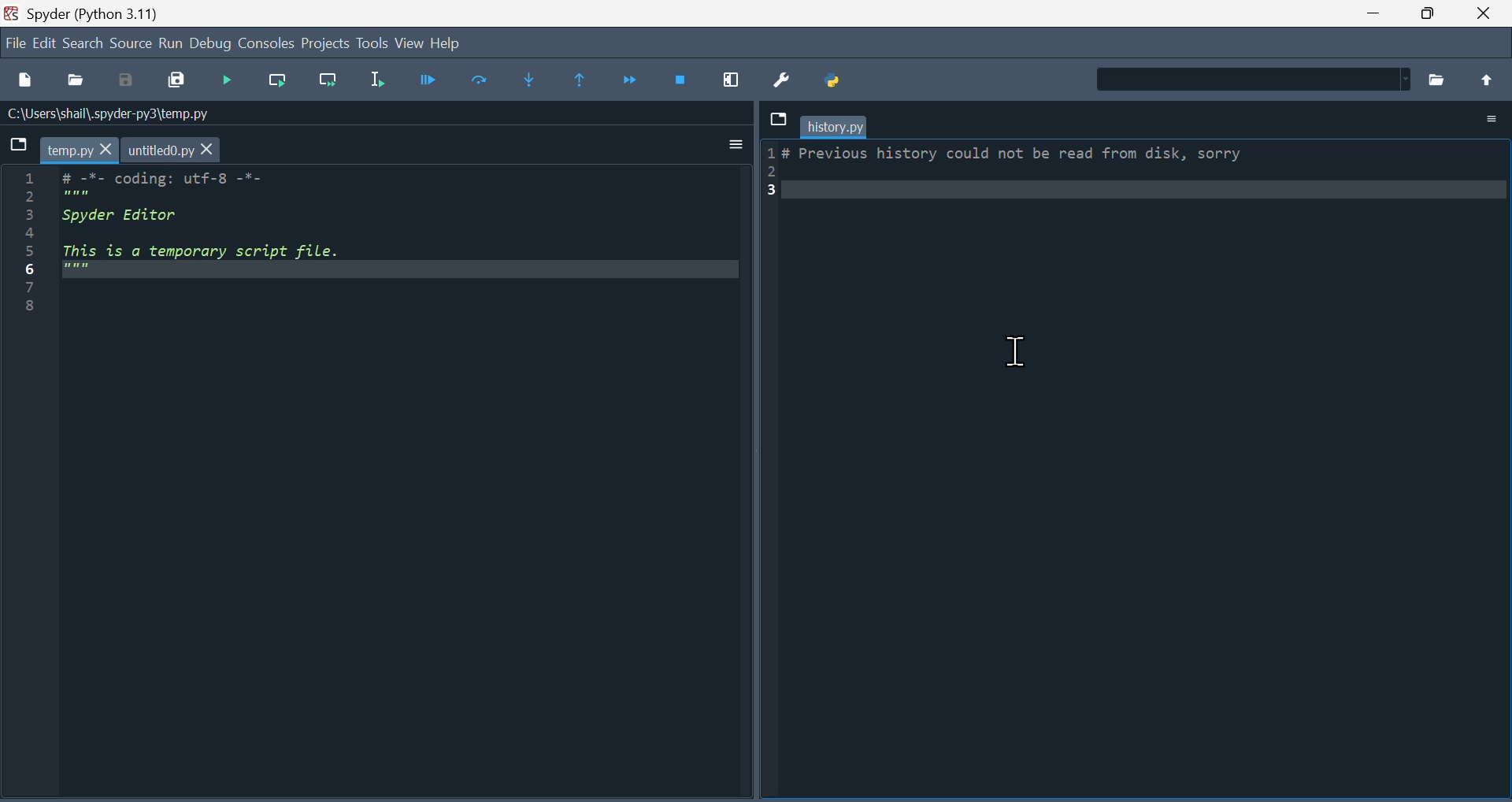 This screenshot has height=802, width=1512. I want to click on Tools, so click(372, 42).